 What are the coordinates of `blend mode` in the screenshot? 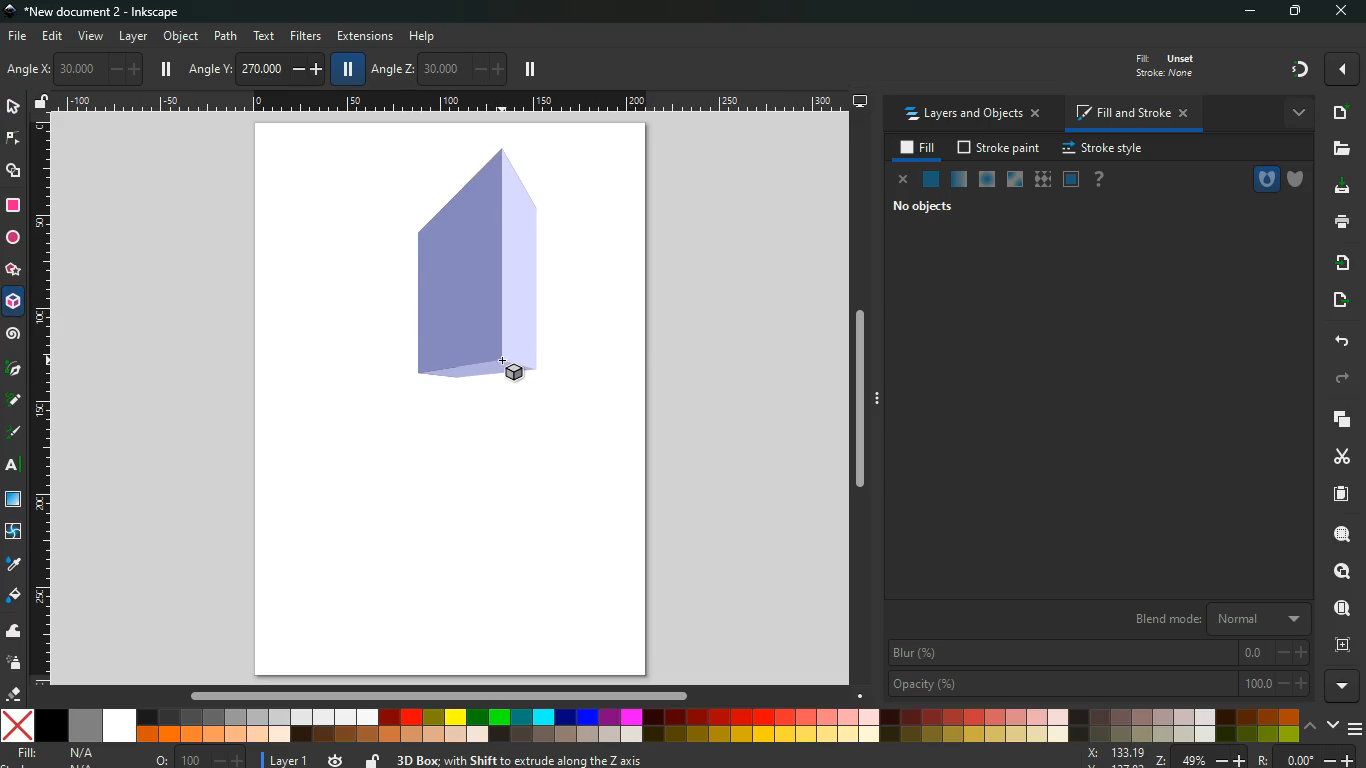 It's located at (1211, 619).